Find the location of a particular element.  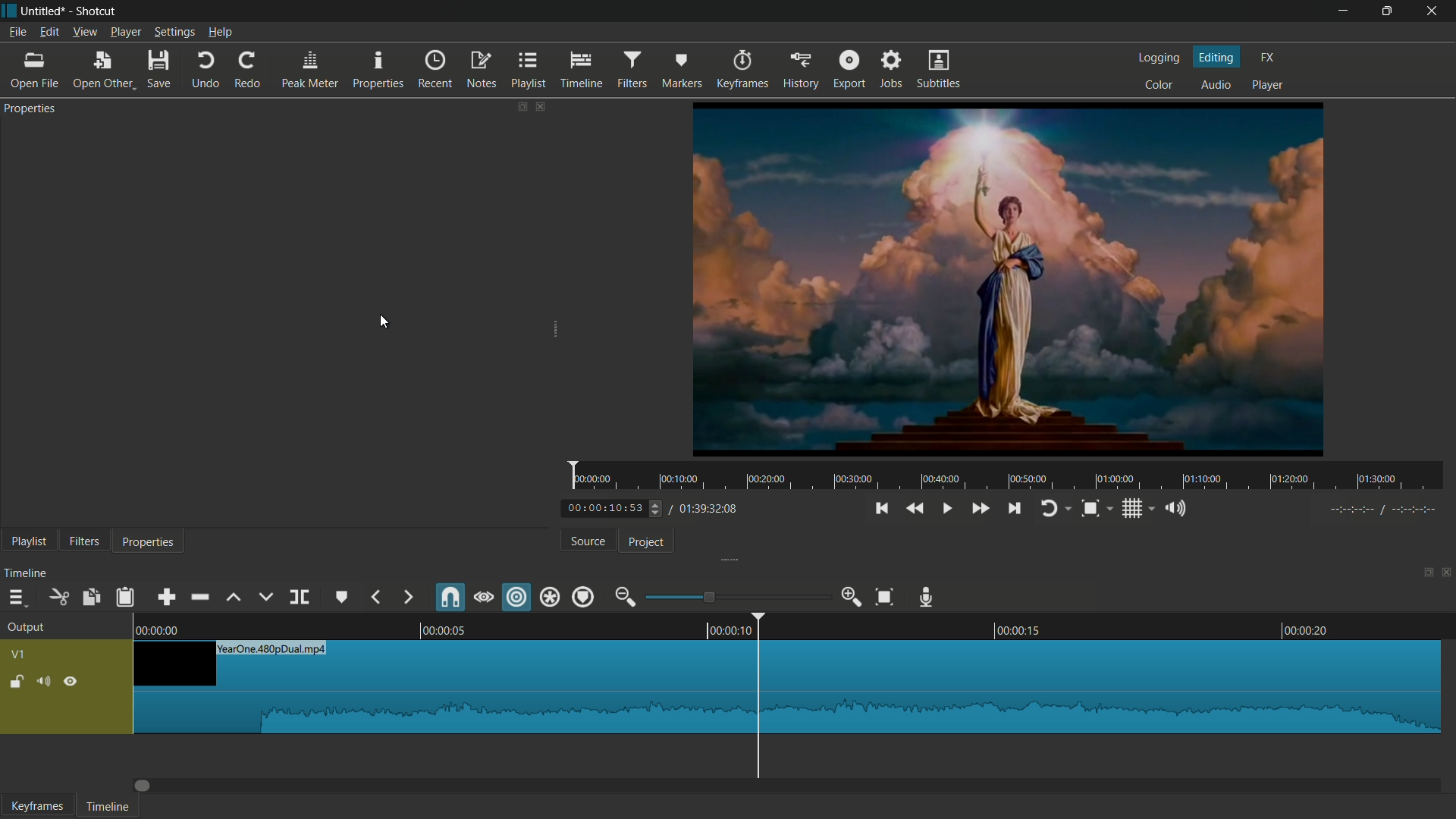

subtitles is located at coordinates (939, 67).